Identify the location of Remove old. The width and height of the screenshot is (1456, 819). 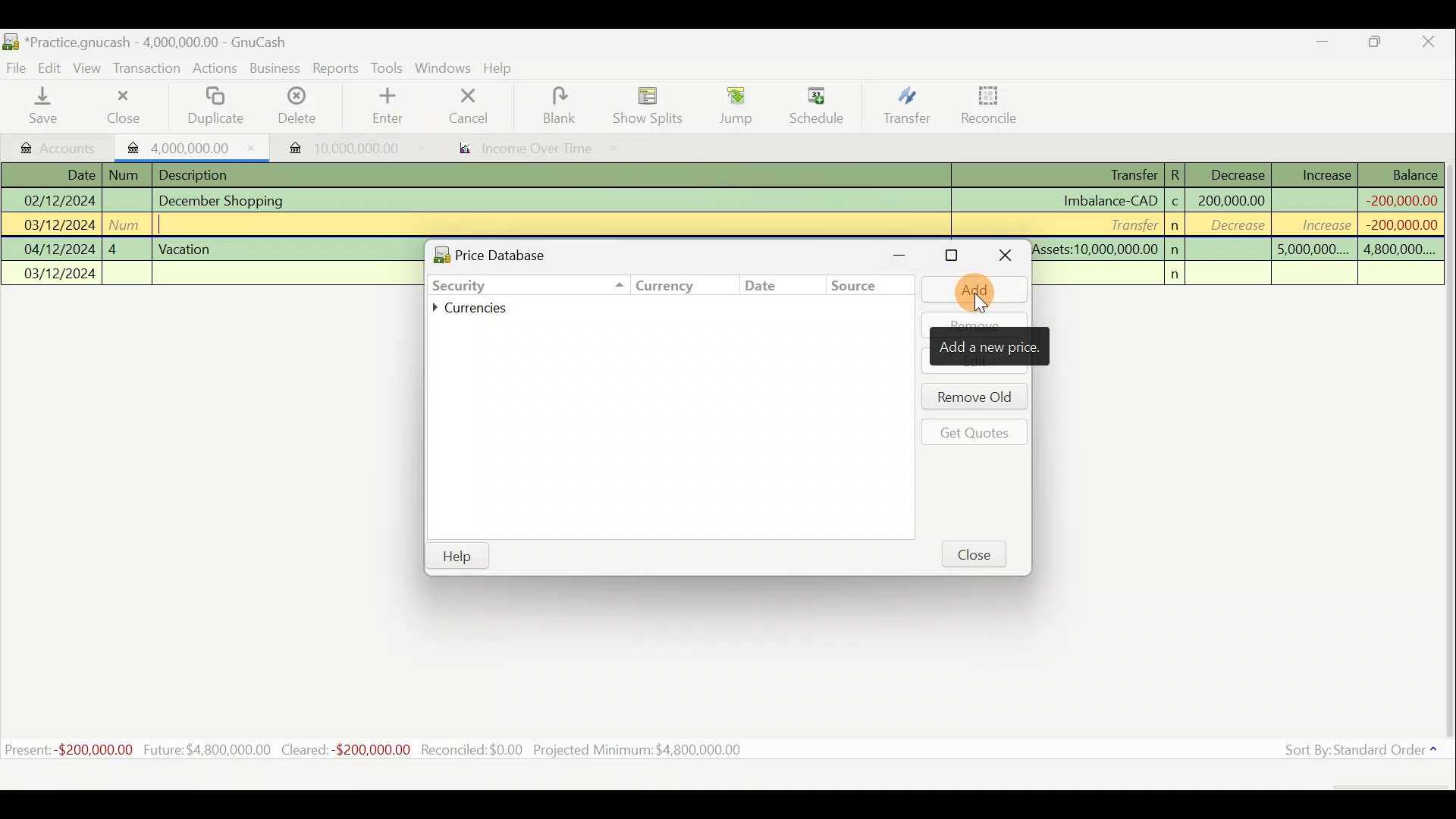
(971, 398).